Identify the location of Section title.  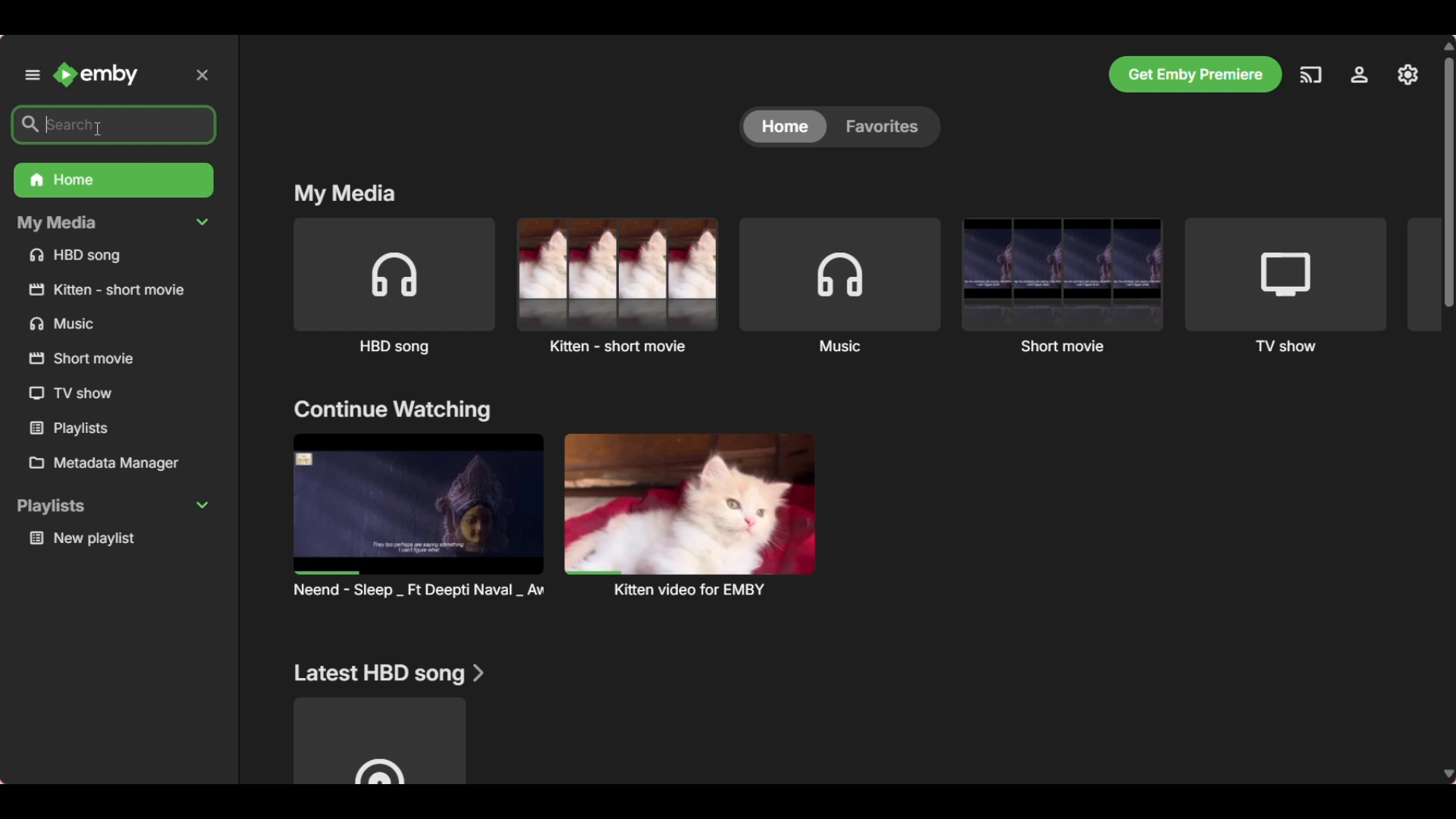
(393, 408).